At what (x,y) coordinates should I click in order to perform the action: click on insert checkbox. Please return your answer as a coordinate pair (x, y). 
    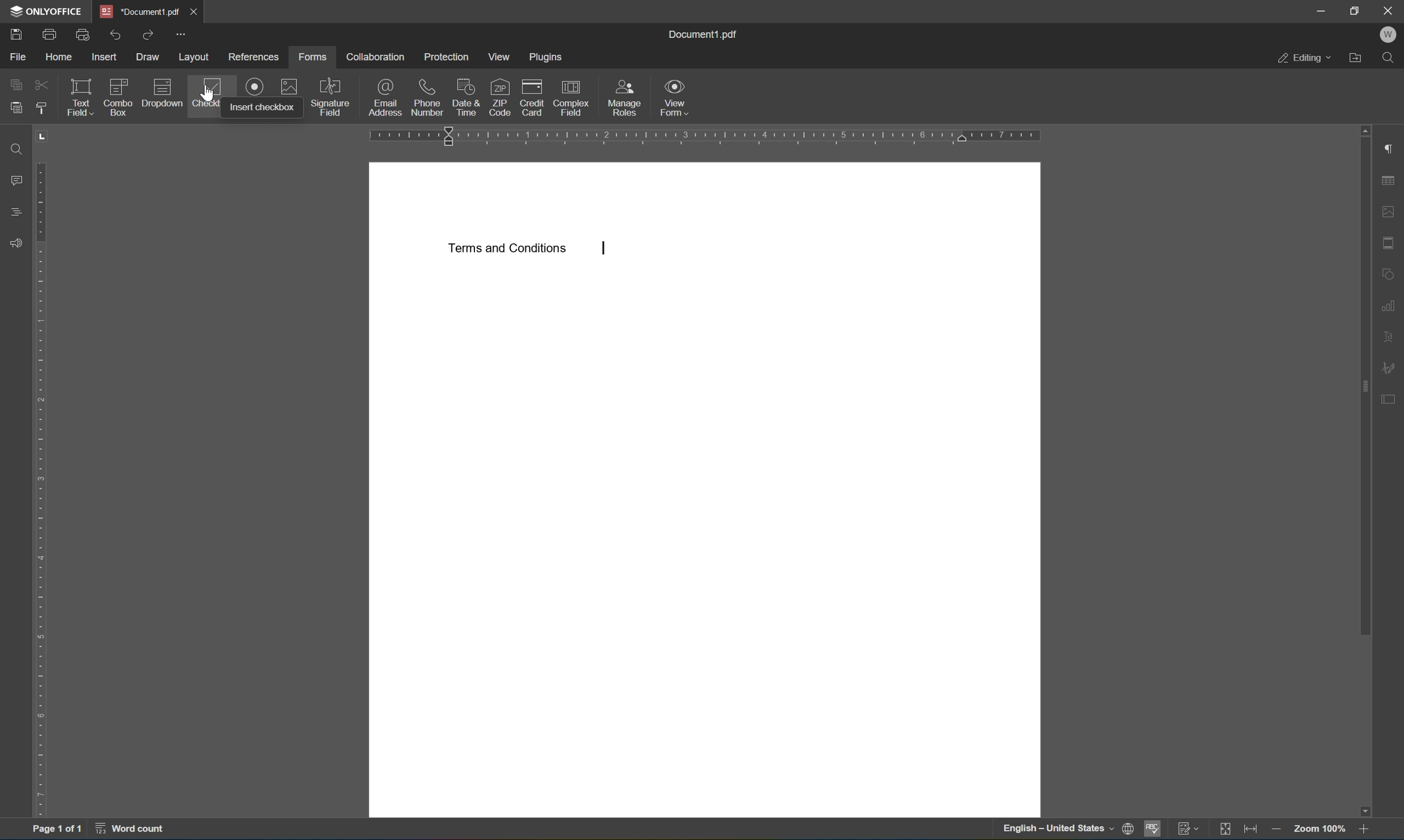
    Looking at the image, I should click on (264, 108).